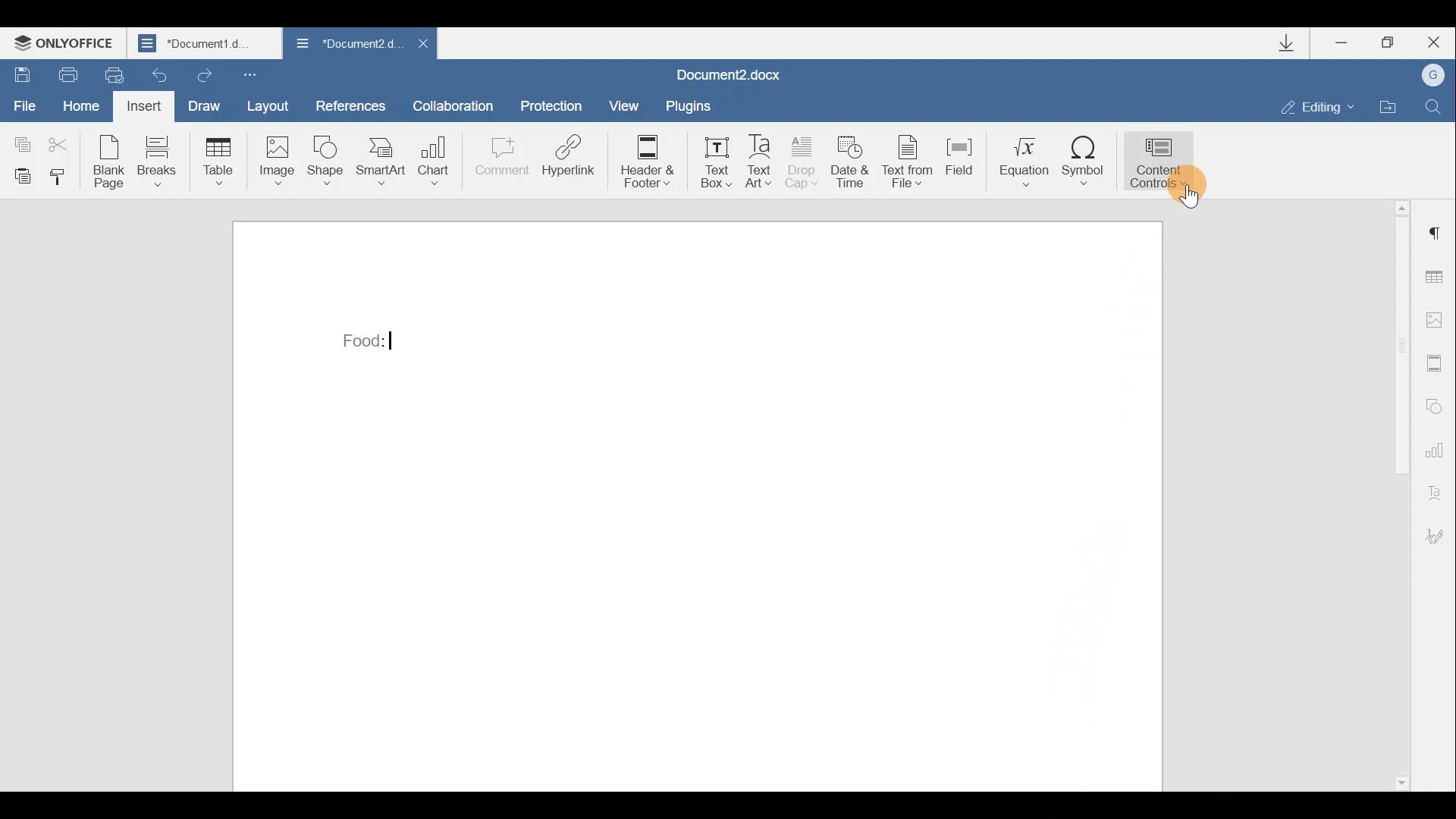 The height and width of the screenshot is (819, 1456). Describe the element at coordinates (693, 106) in the screenshot. I see `Plugins` at that location.